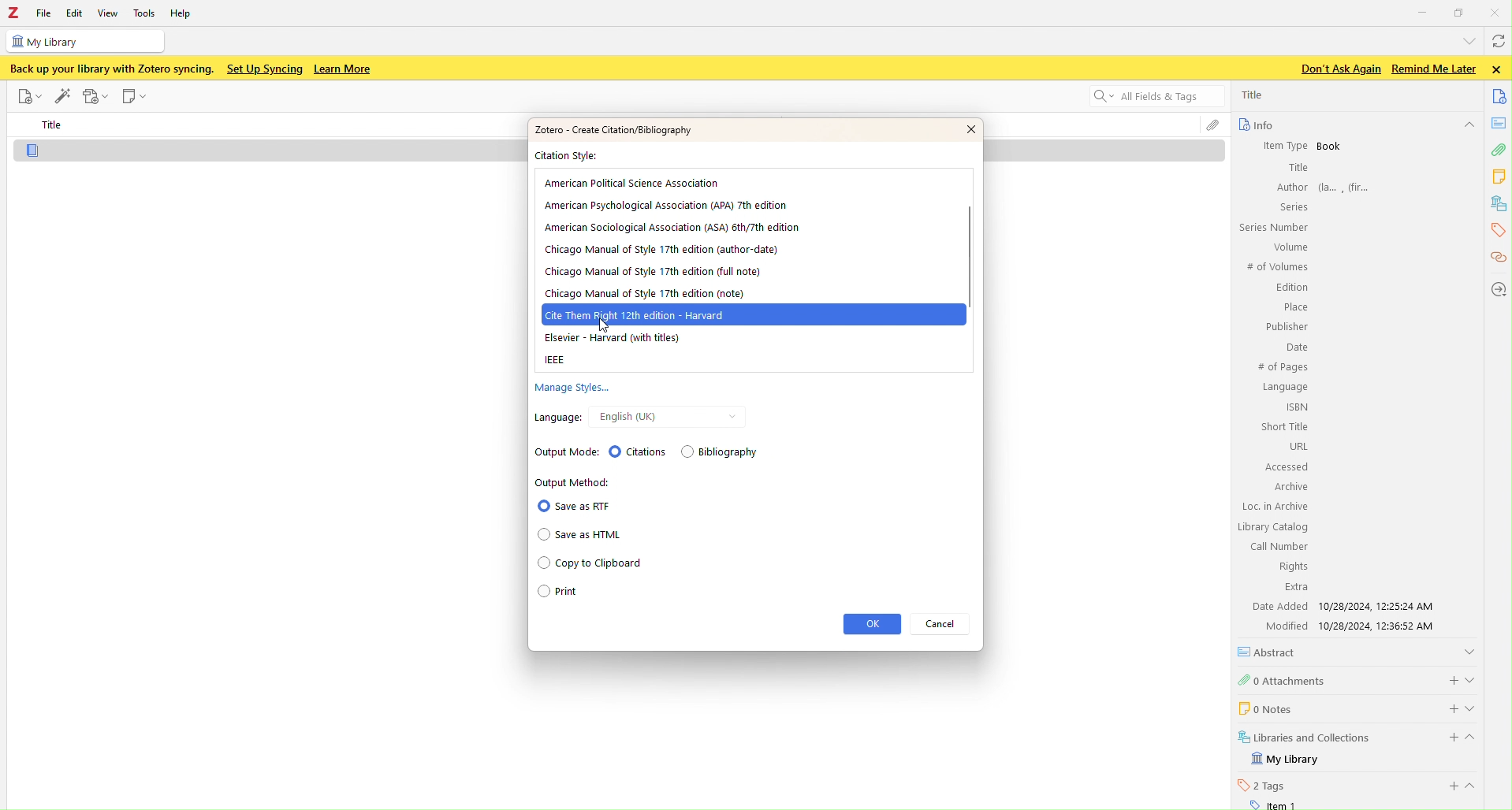 The width and height of the screenshot is (1512, 810). Describe the element at coordinates (1285, 388) in the screenshot. I see `Language` at that location.